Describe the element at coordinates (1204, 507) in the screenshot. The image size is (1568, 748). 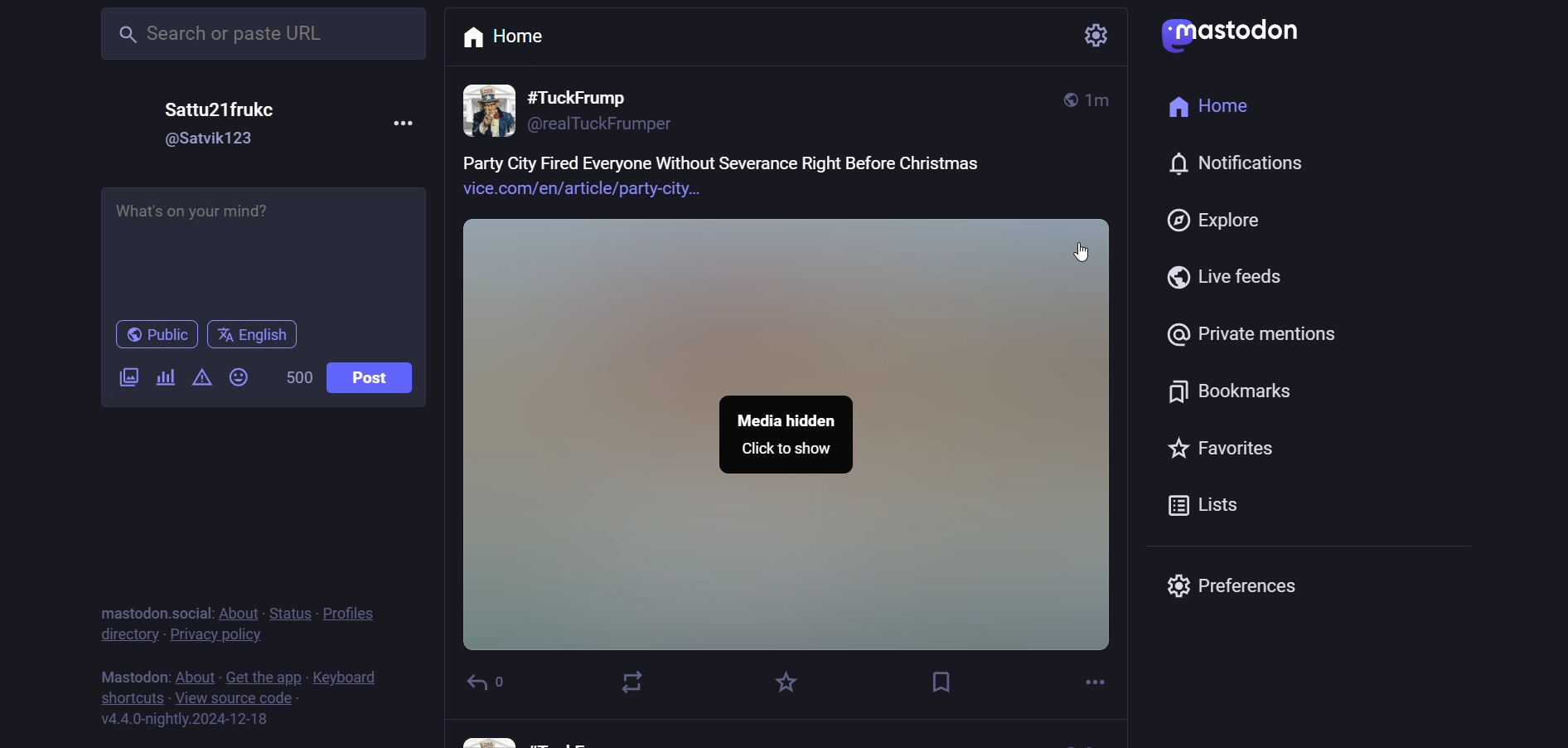
I see `Lists` at that location.